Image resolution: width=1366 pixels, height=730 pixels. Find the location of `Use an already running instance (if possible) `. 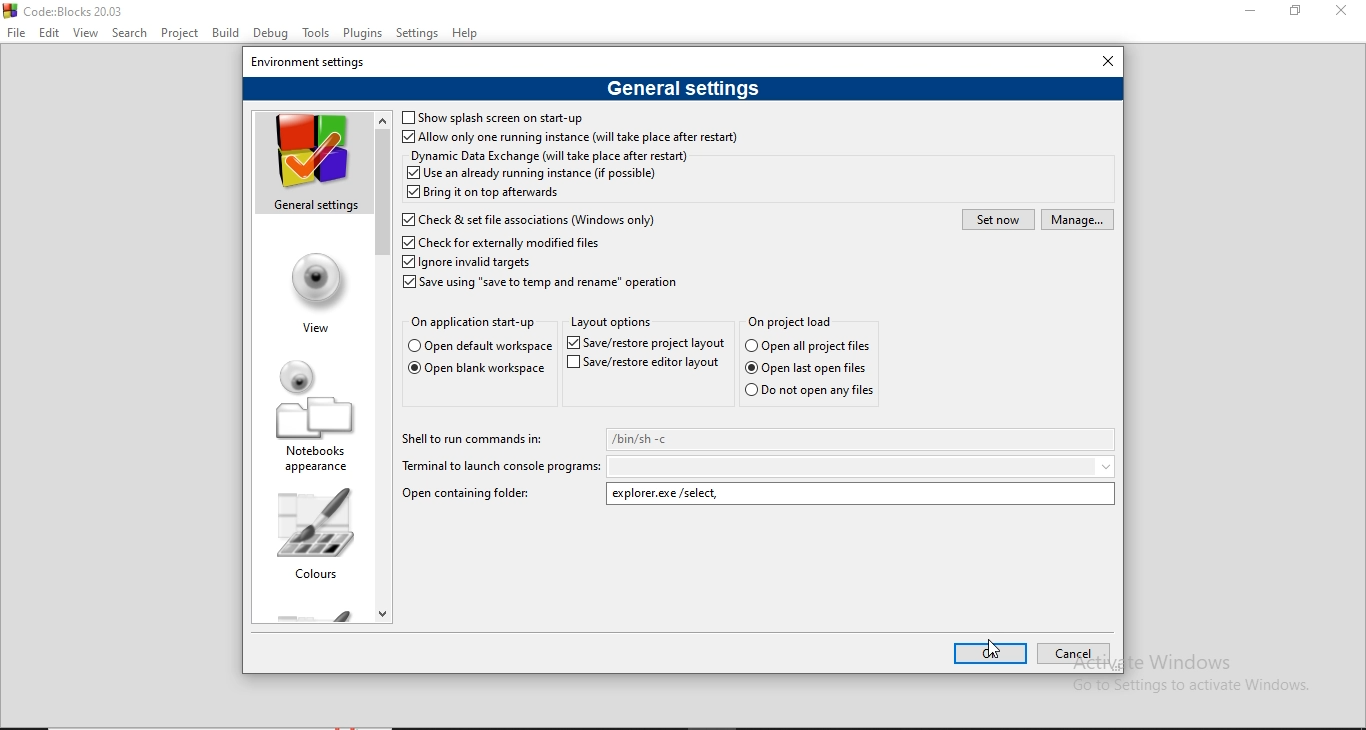

Use an already running instance (if possible)  is located at coordinates (531, 174).